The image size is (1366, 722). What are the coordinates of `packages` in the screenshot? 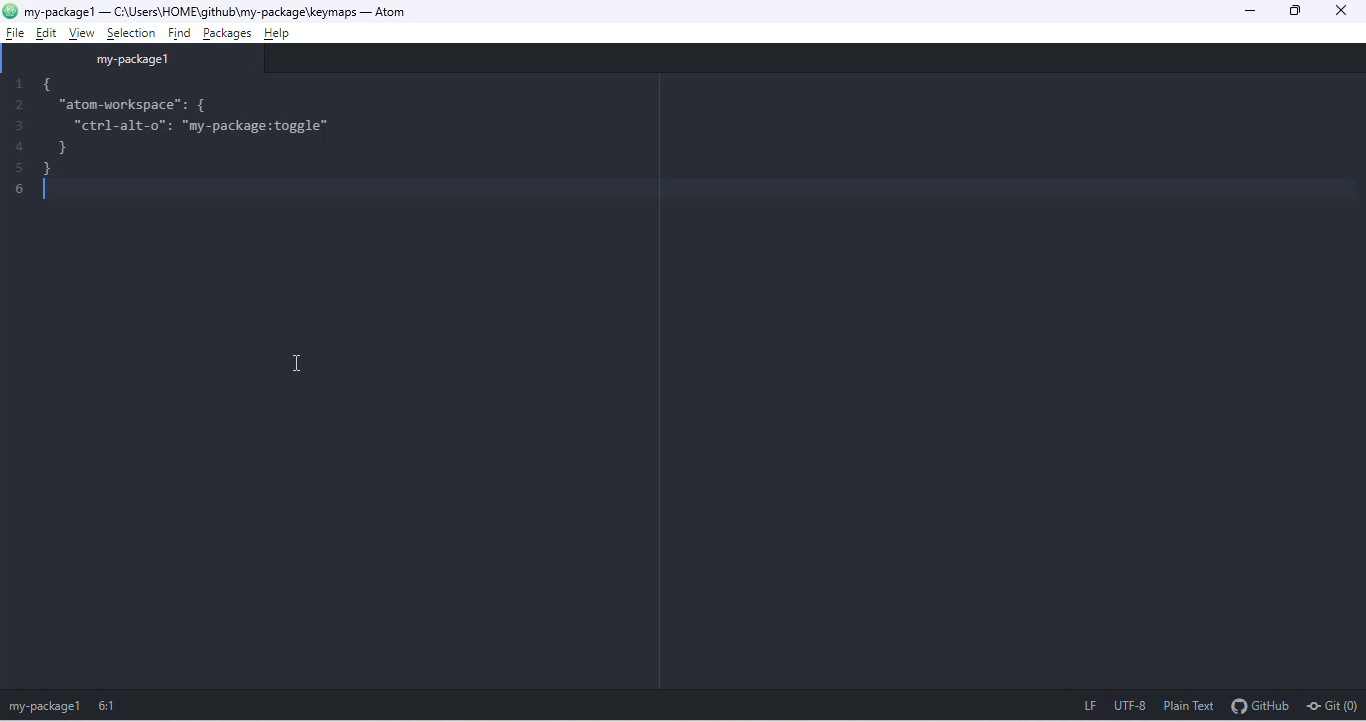 It's located at (228, 31).